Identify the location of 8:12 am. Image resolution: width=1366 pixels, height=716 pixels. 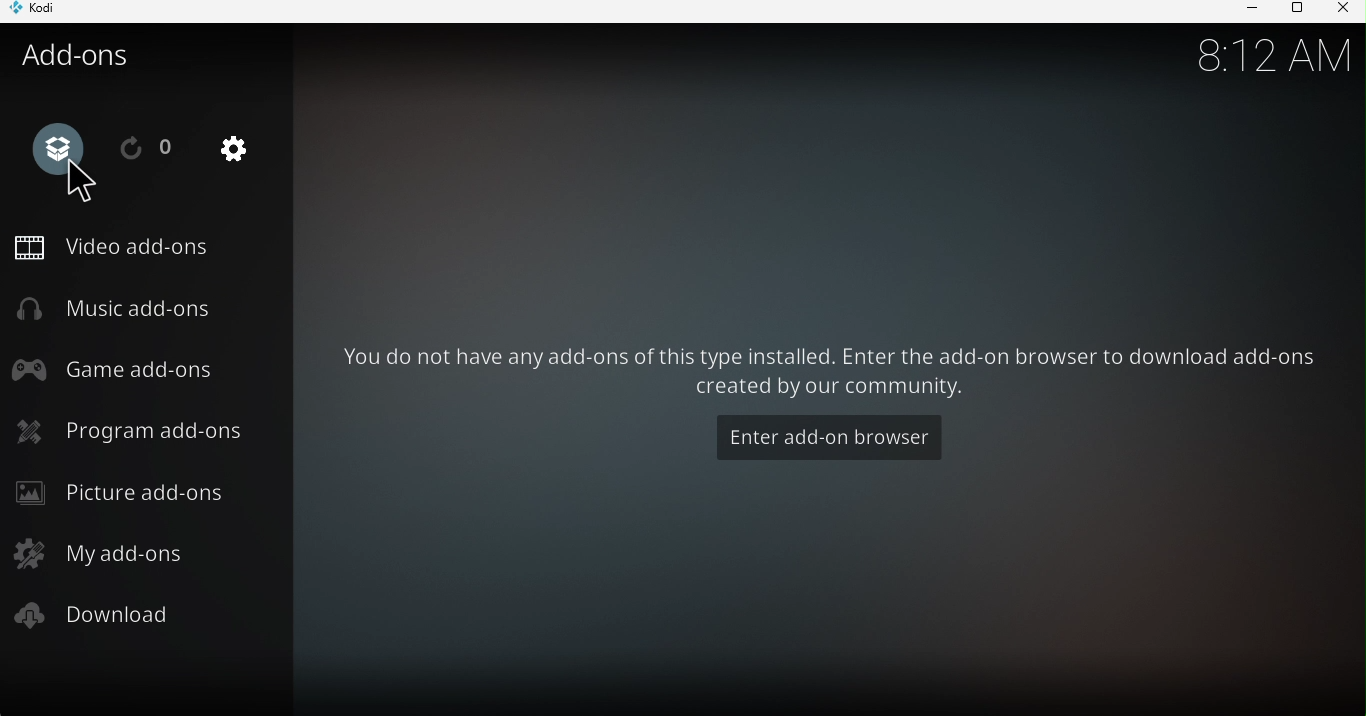
(1265, 59).